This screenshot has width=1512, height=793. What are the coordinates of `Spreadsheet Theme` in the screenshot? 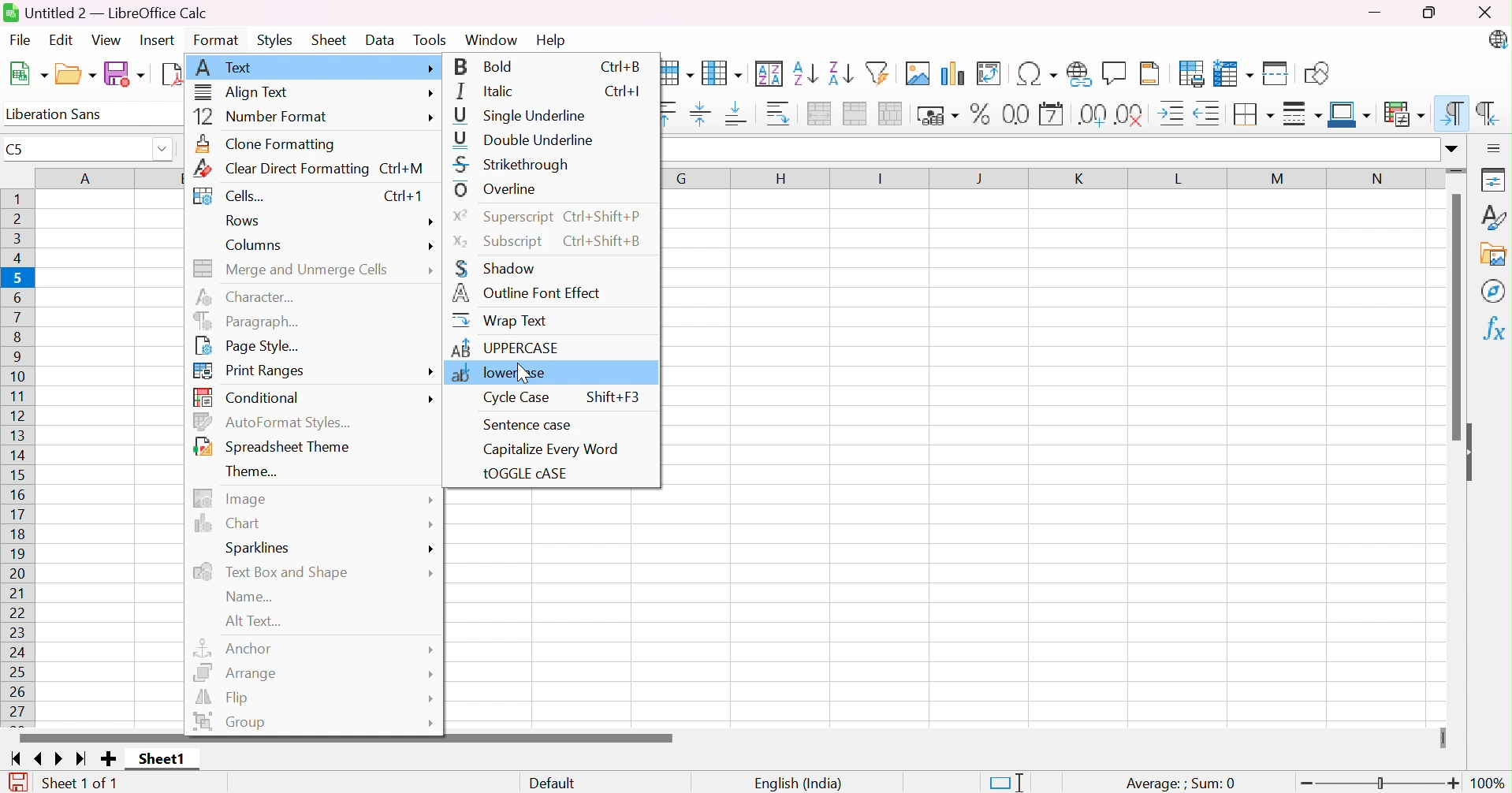 It's located at (275, 446).